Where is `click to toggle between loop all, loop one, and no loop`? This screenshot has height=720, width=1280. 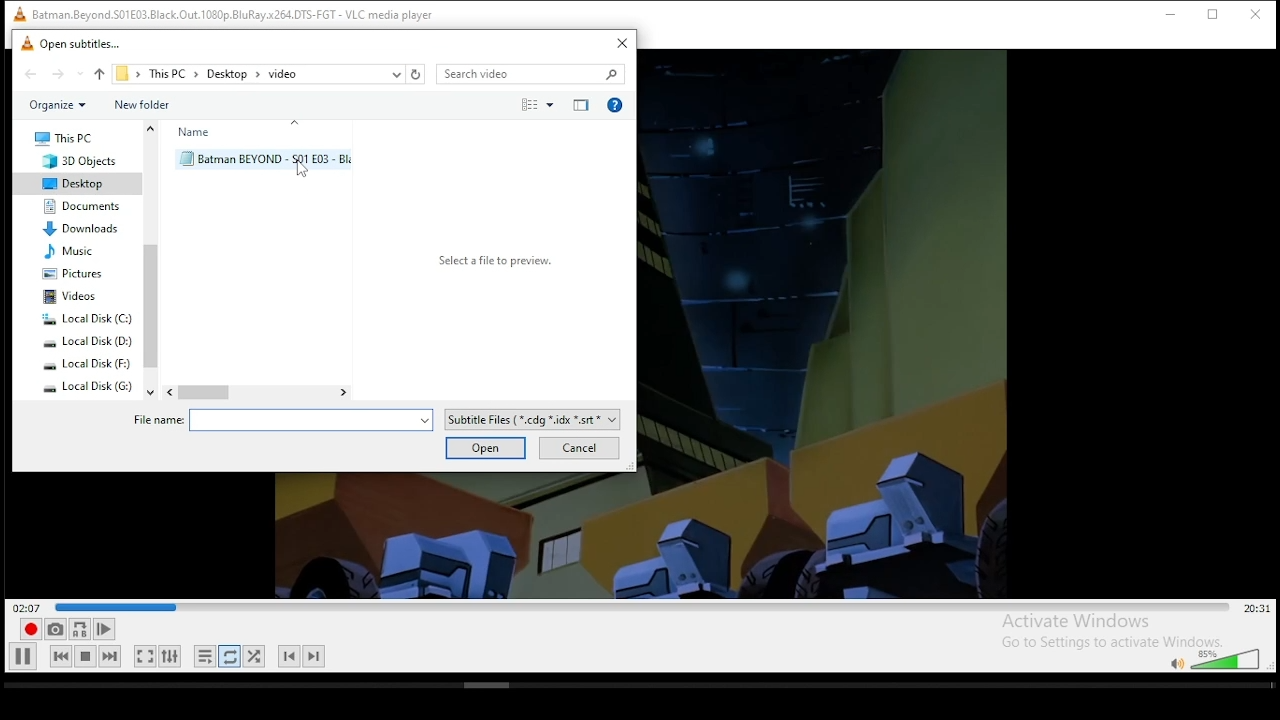 click to toggle between loop all, loop one, and no loop is located at coordinates (229, 656).